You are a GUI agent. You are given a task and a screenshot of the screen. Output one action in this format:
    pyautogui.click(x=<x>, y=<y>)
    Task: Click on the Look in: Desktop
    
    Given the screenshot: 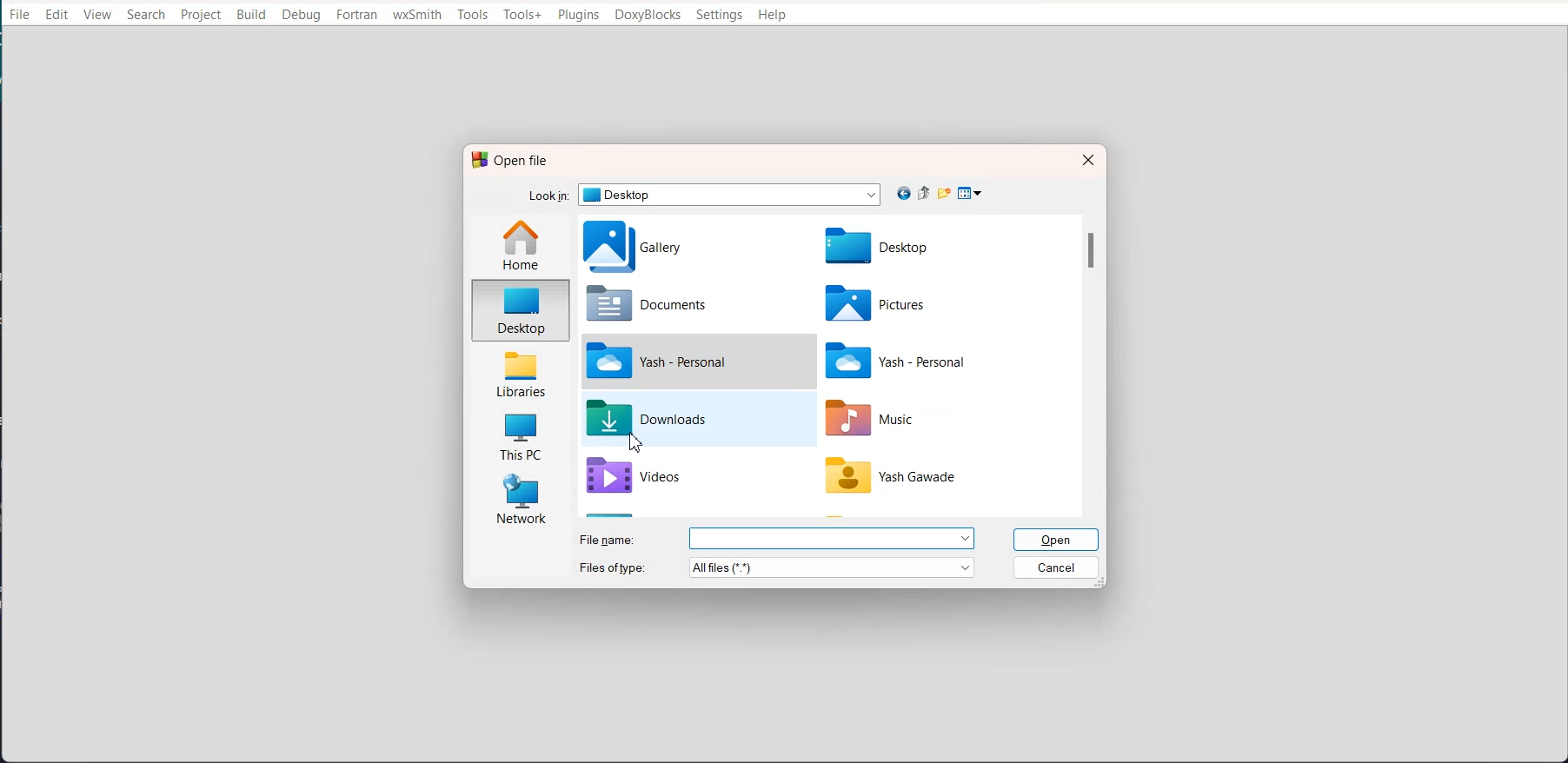 What is the action you would take?
    pyautogui.click(x=702, y=194)
    